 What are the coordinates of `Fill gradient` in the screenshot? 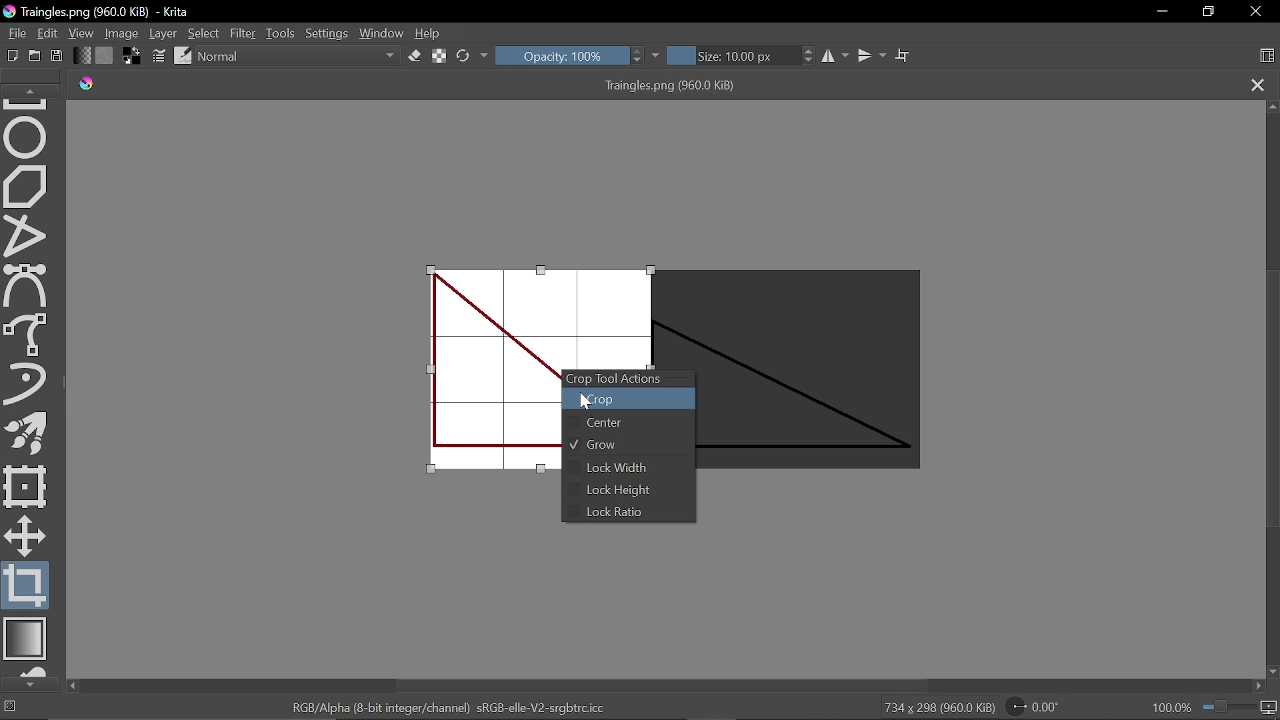 It's located at (82, 55).